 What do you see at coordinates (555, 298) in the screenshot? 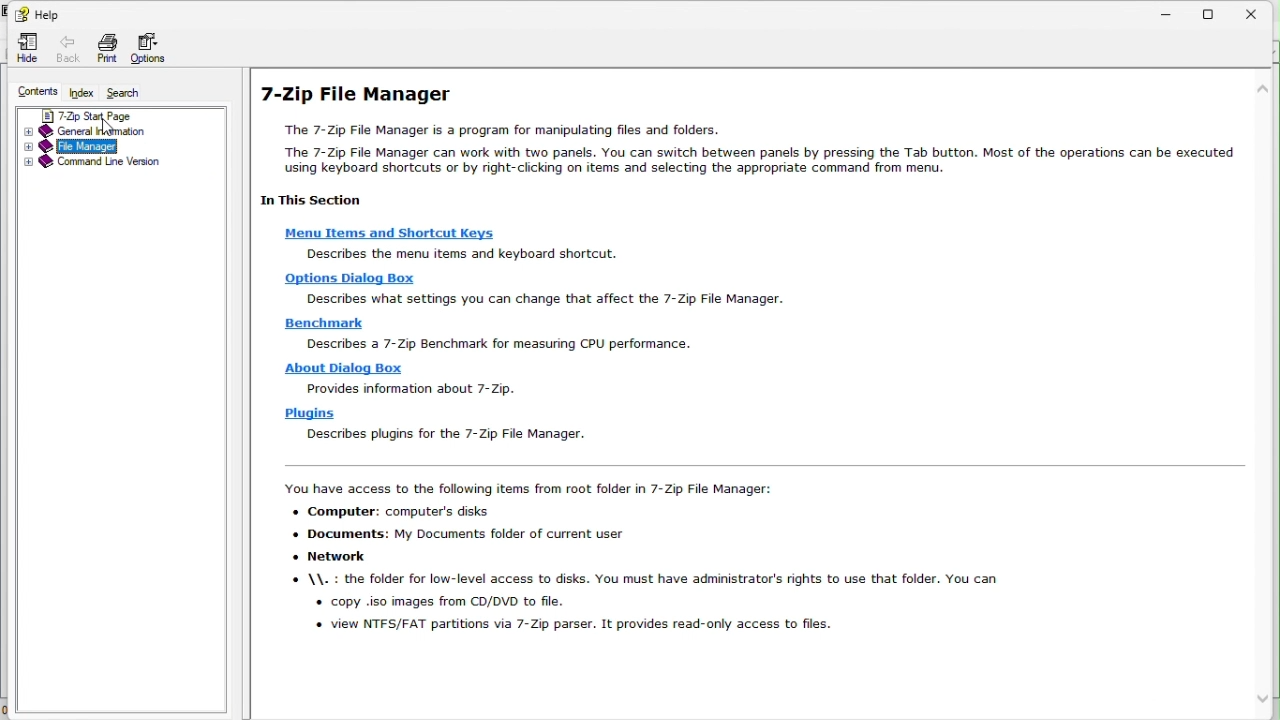
I see `Describe options Dialogue box` at bounding box center [555, 298].